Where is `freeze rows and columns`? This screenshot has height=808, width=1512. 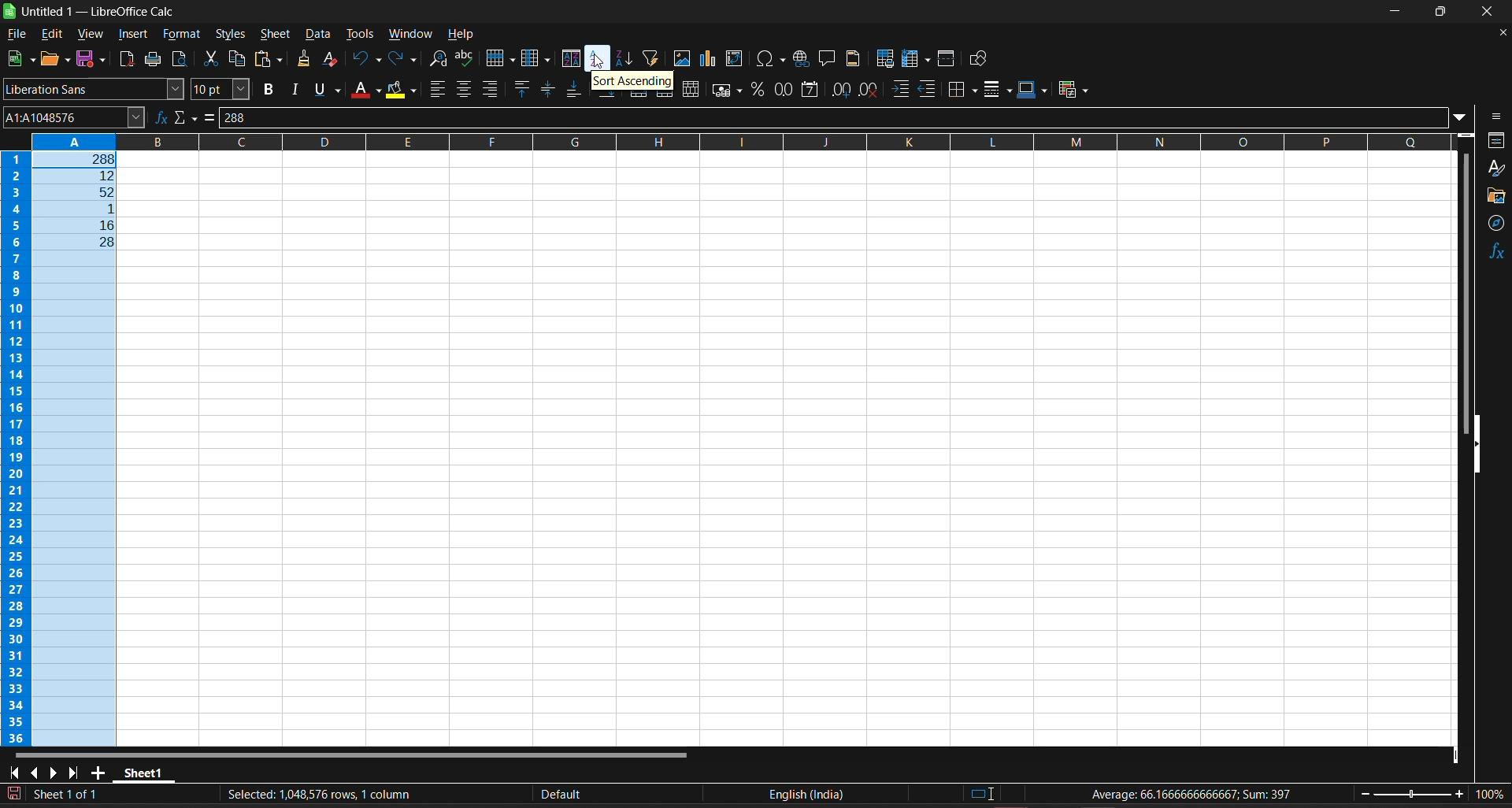
freeze rows and columns is located at coordinates (918, 60).